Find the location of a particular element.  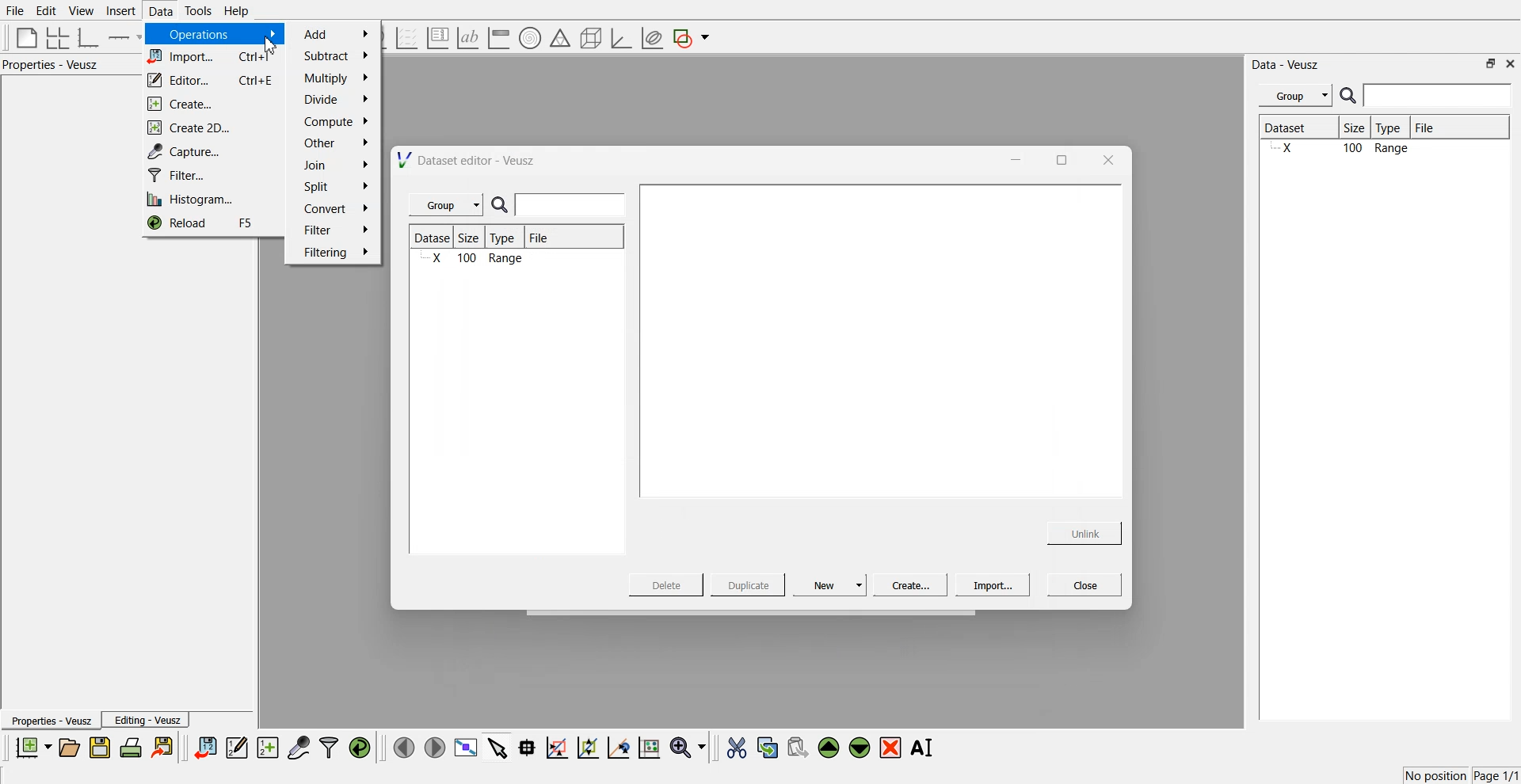

Tools is located at coordinates (196, 10).